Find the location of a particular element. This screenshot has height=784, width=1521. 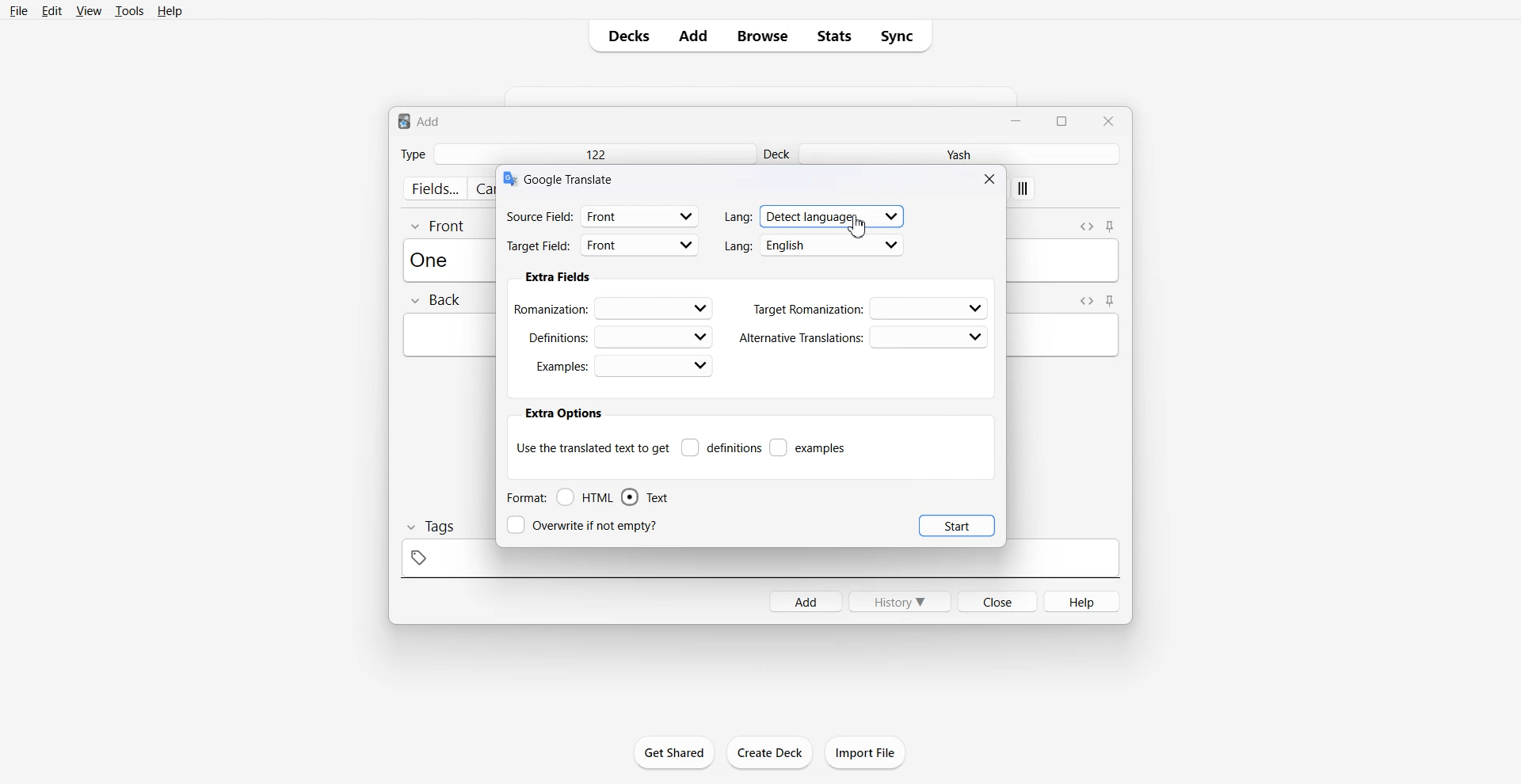

Sync is located at coordinates (902, 36).